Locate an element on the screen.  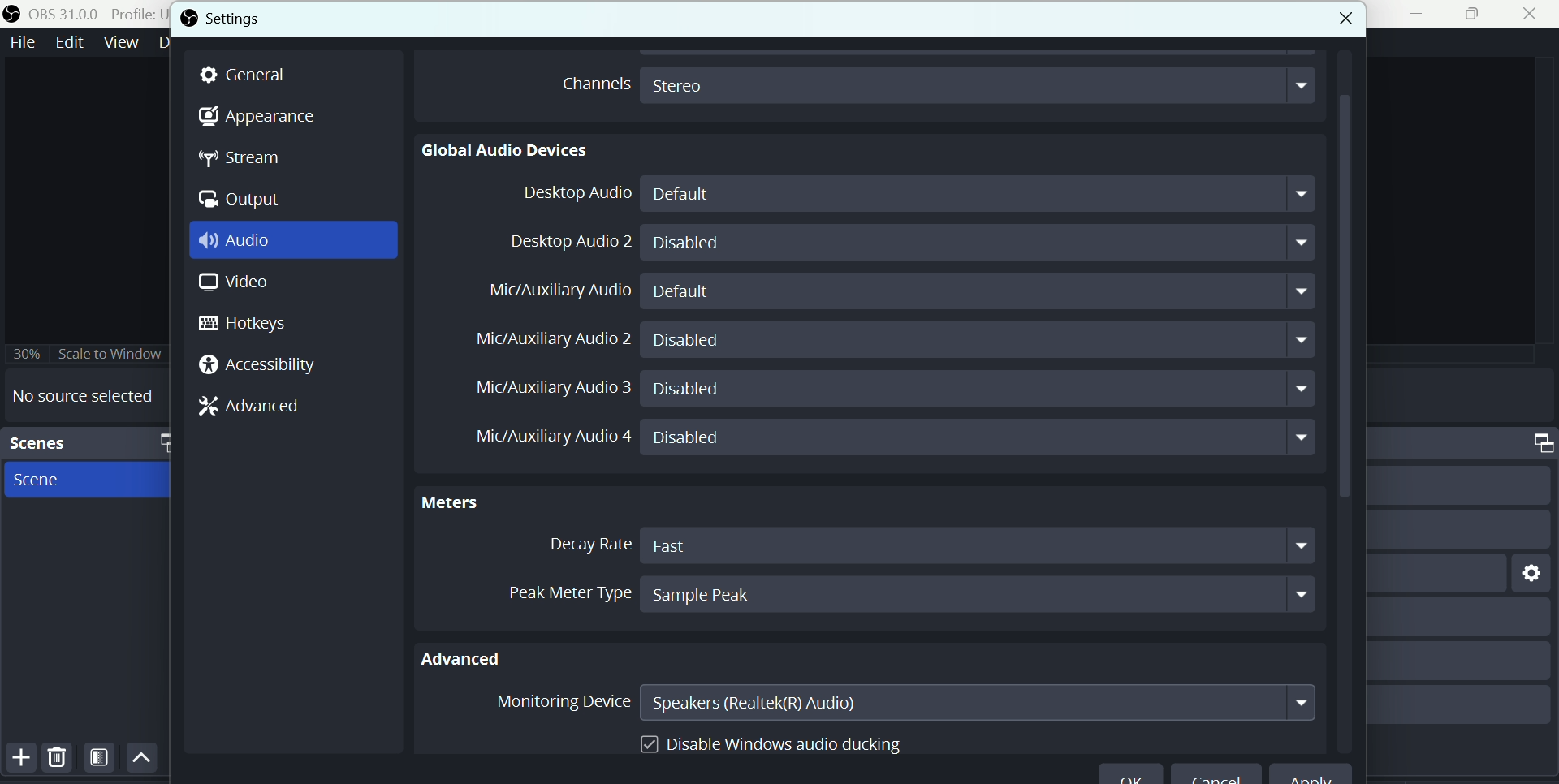
Hotkeys is located at coordinates (254, 325).